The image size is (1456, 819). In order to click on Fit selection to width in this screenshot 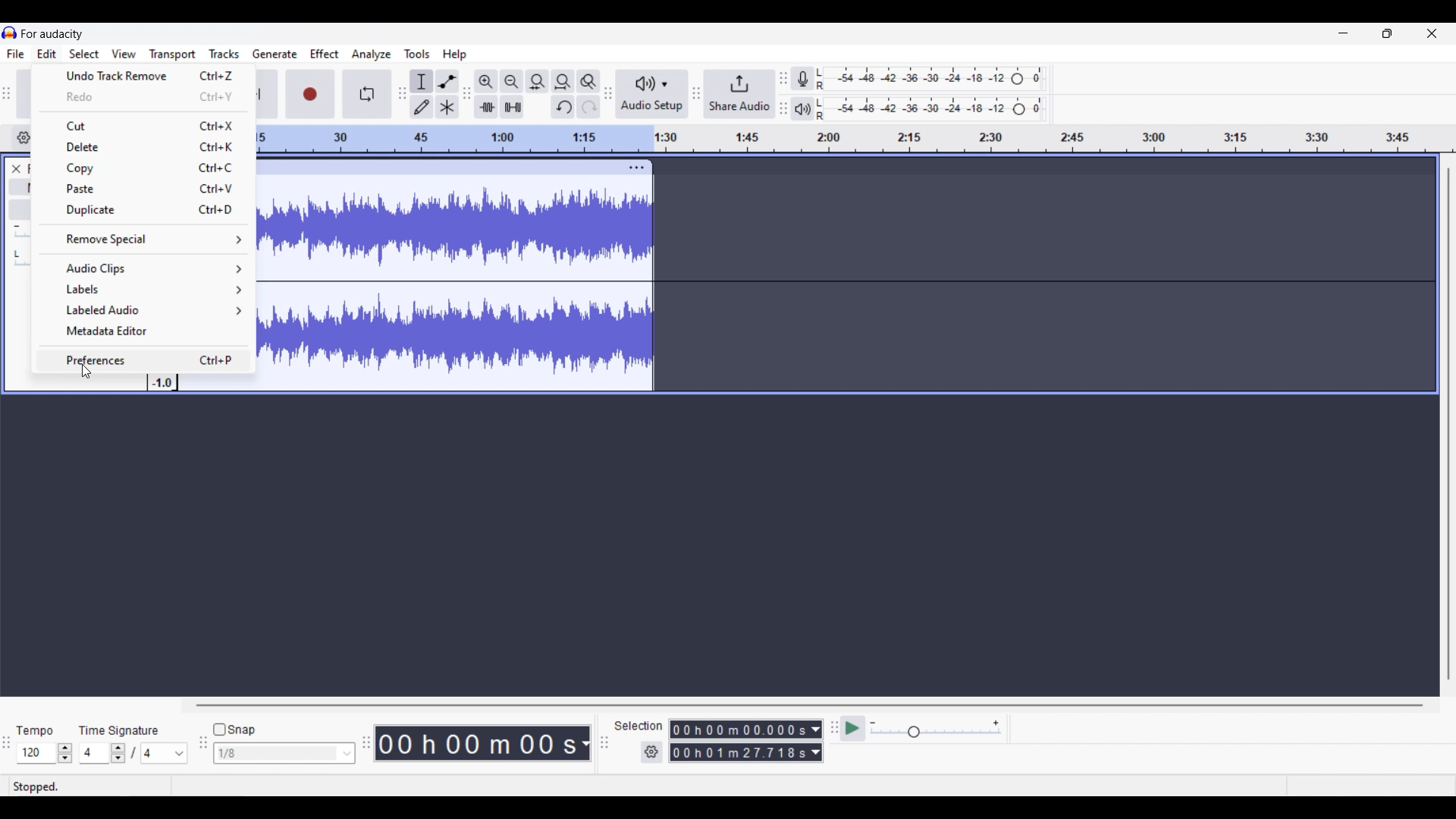, I will do `click(538, 81)`.